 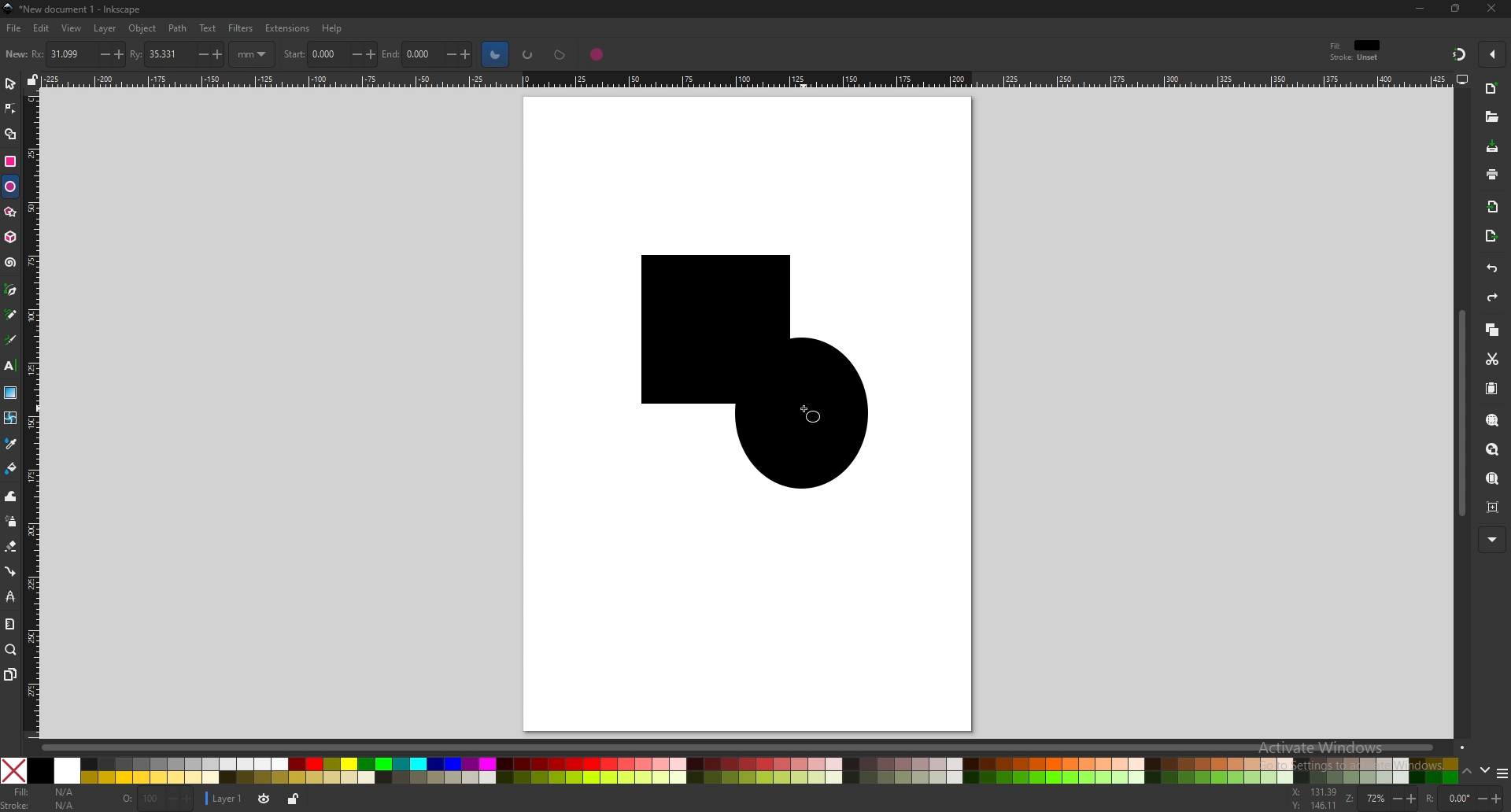 I want to click on chord, so click(x=563, y=54).